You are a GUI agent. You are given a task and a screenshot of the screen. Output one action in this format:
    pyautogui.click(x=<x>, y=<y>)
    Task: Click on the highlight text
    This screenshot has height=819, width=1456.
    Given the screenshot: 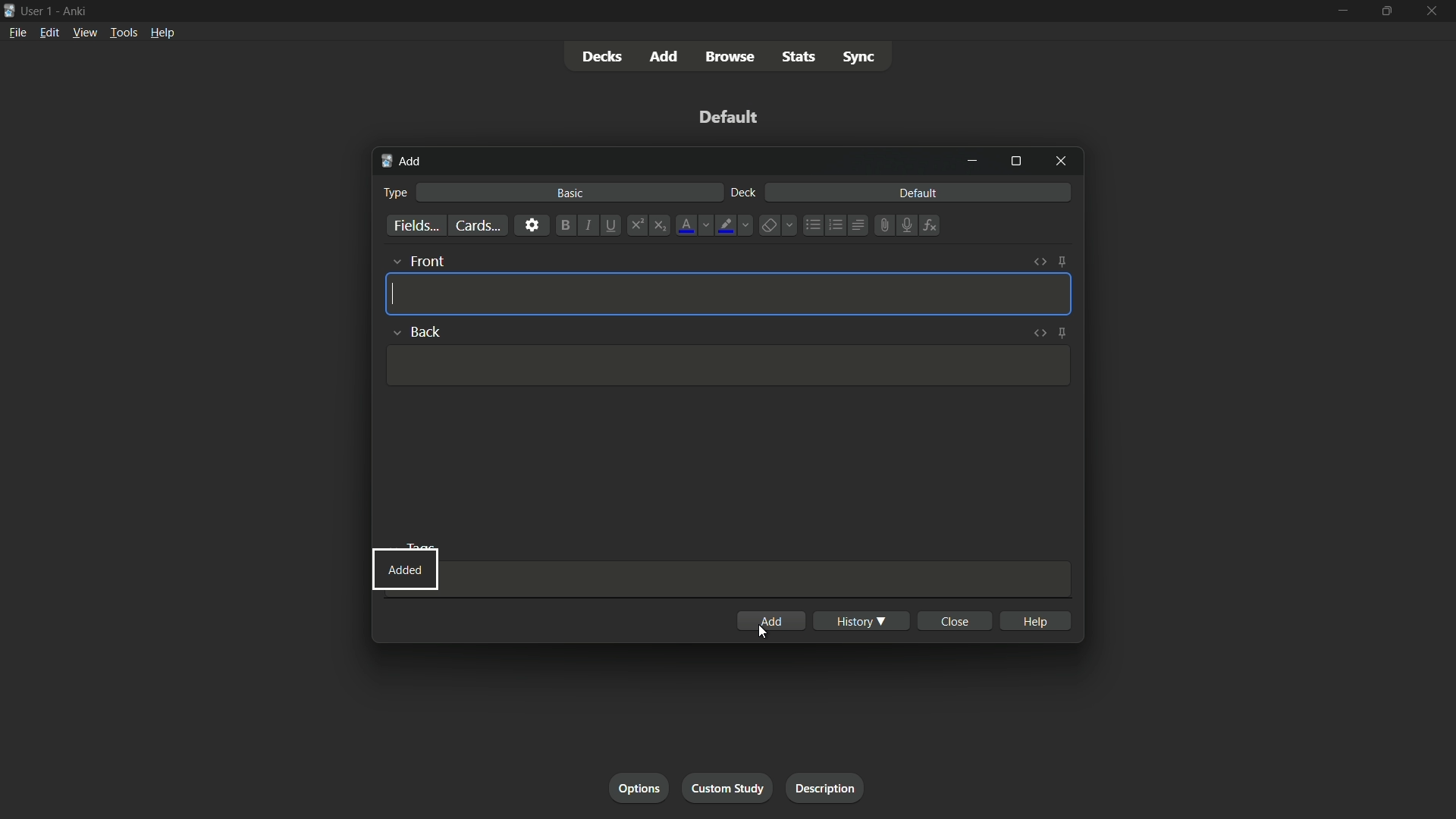 What is the action you would take?
    pyautogui.click(x=725, y=225)
    